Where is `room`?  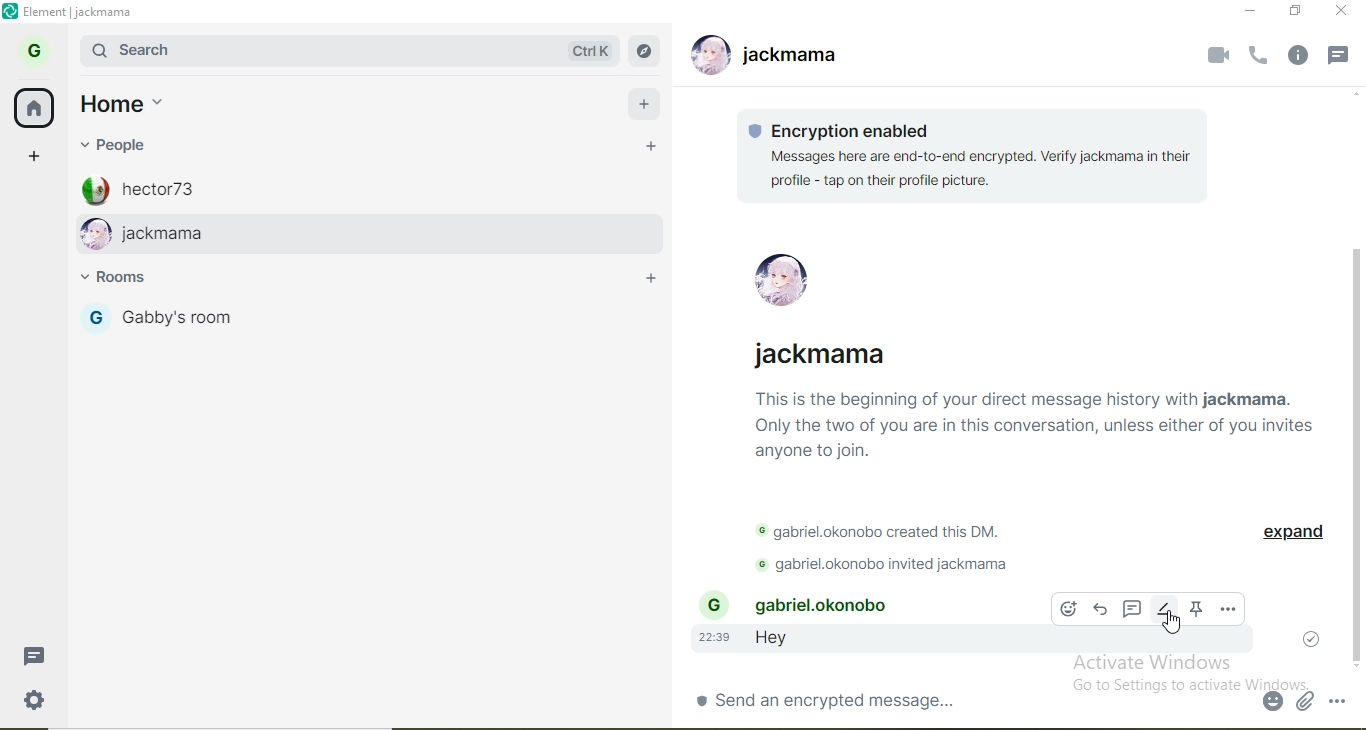
room is located at coordinates (133, 280).